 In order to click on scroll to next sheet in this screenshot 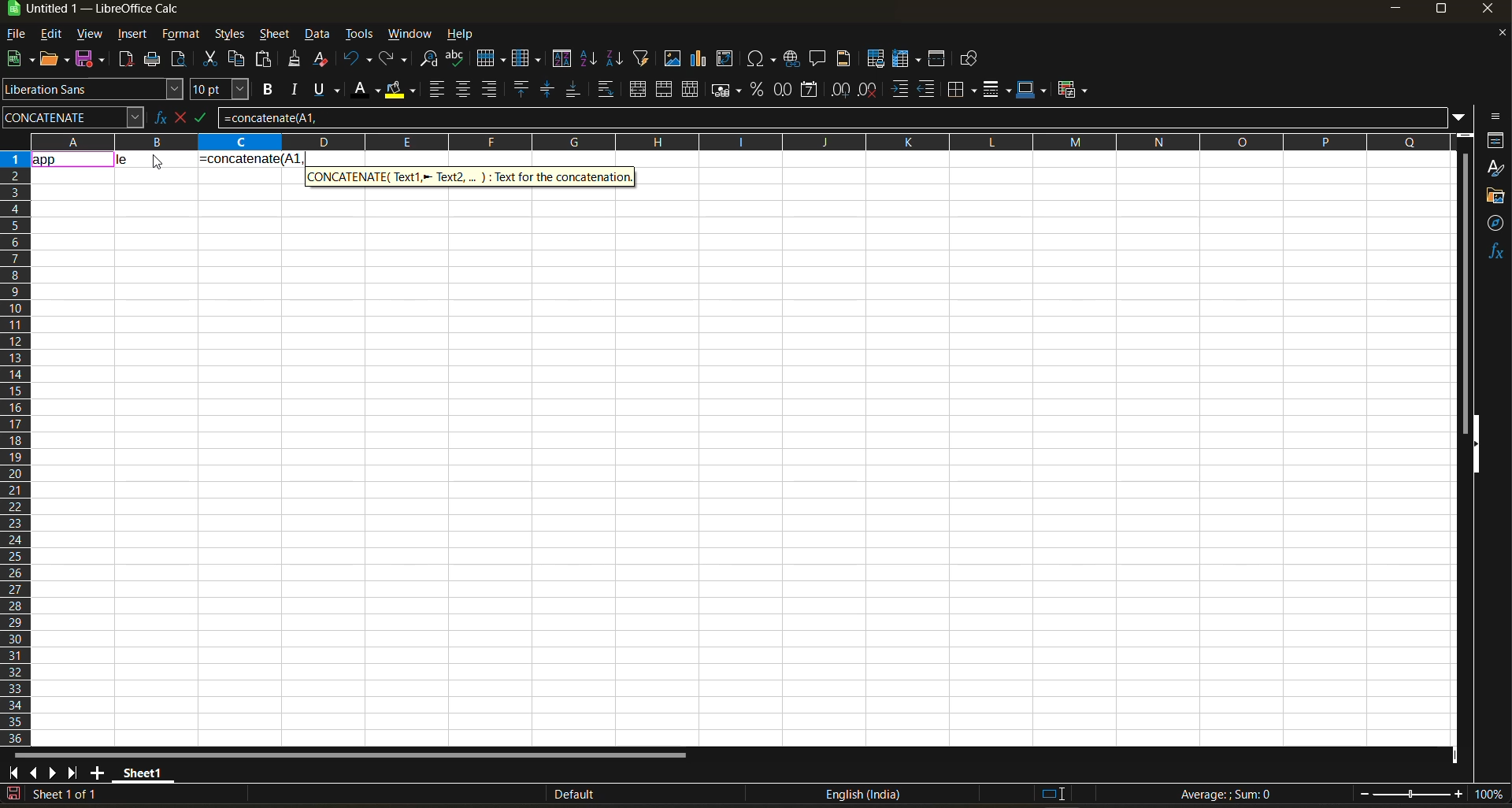, I will do `click(51, 773)`.